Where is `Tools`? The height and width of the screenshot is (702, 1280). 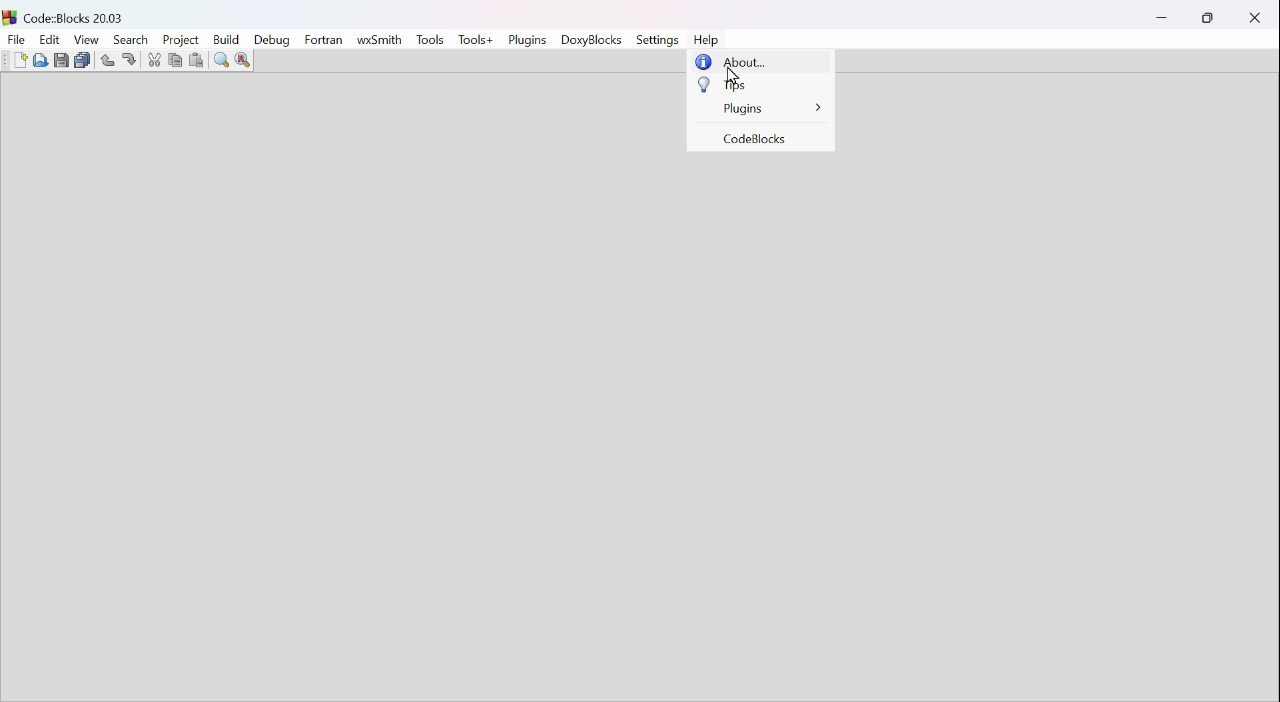 Tools is located at coordinates (431, 36).